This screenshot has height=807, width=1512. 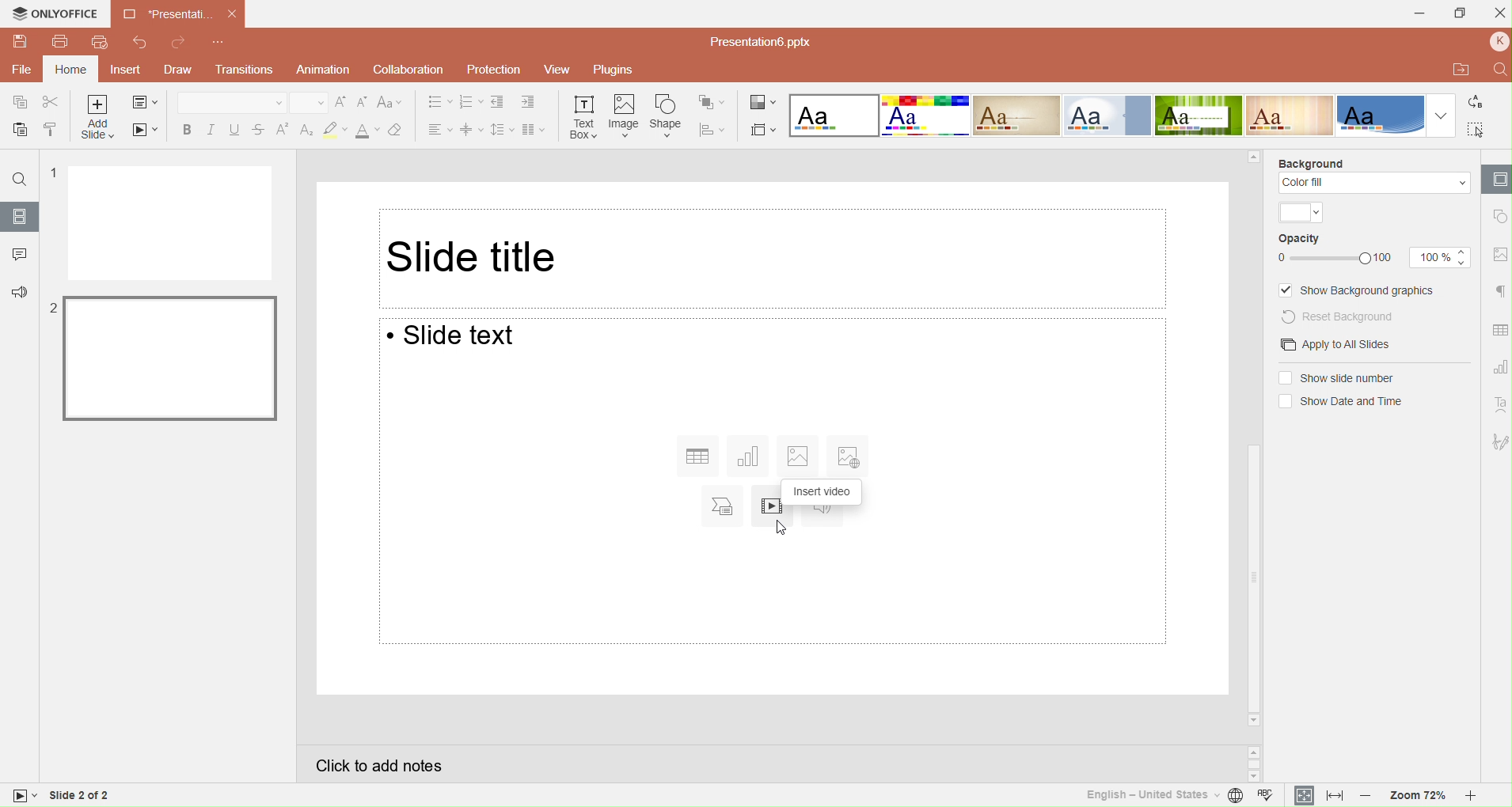 What do you see at coordinates (309, 102) in the screenshot?
I see `Font size` at bounding box center [309, 102].